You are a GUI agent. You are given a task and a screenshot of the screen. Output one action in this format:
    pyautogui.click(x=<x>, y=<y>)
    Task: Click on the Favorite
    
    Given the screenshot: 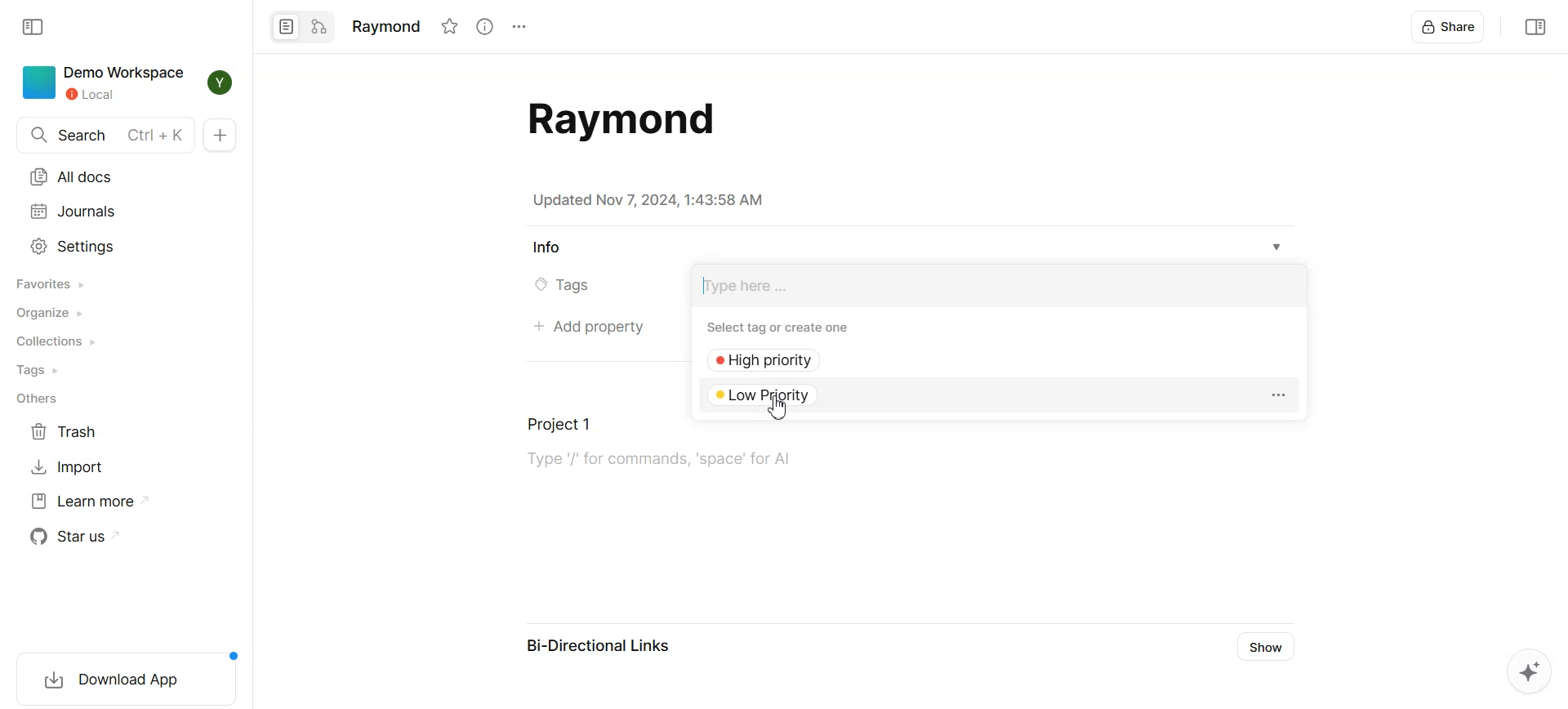 What is the action you would take?
    pyautogui.click(x=449, y=26)
    